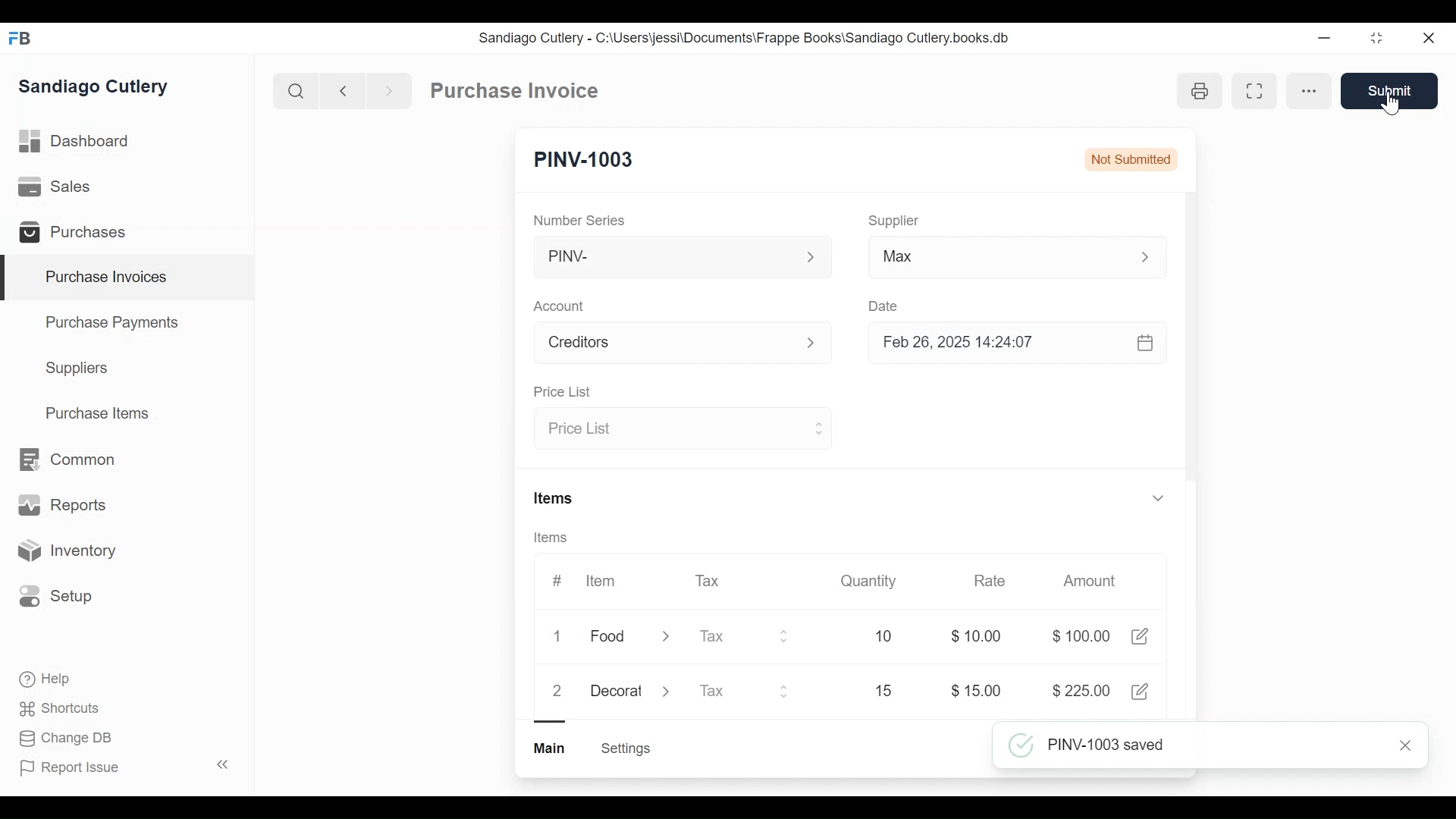 The image size is (1456, 819). Describe the element at coordinates (1389, 91) in the screenshot. I see `Save` at that location.